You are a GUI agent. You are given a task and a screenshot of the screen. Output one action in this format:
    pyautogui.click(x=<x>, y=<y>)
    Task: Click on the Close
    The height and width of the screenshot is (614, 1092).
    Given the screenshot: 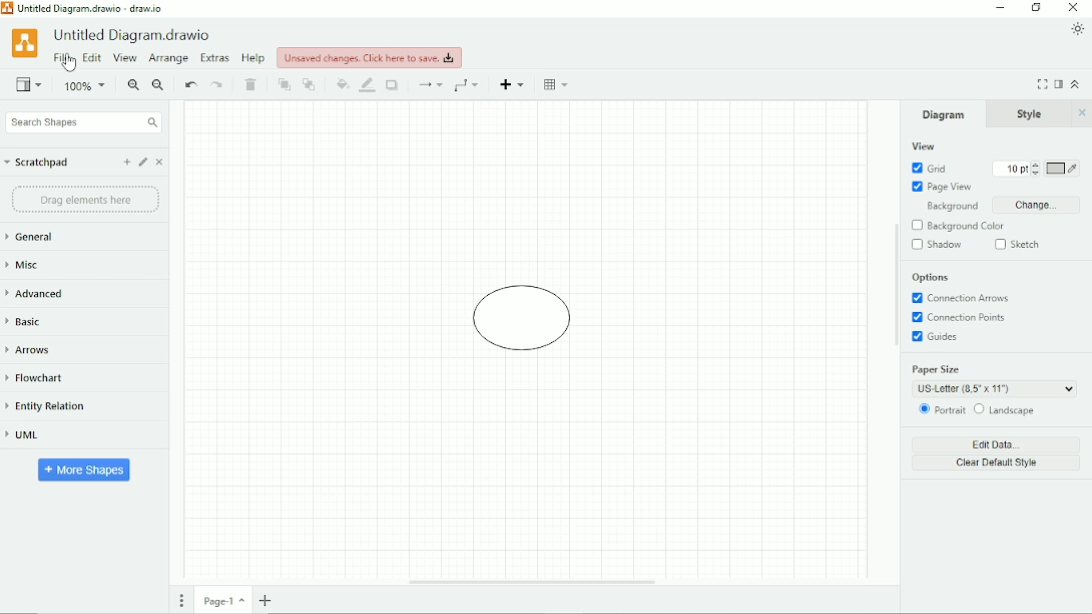 What is the action you would take?
    pyautogui.click(x=160, y=163)
    